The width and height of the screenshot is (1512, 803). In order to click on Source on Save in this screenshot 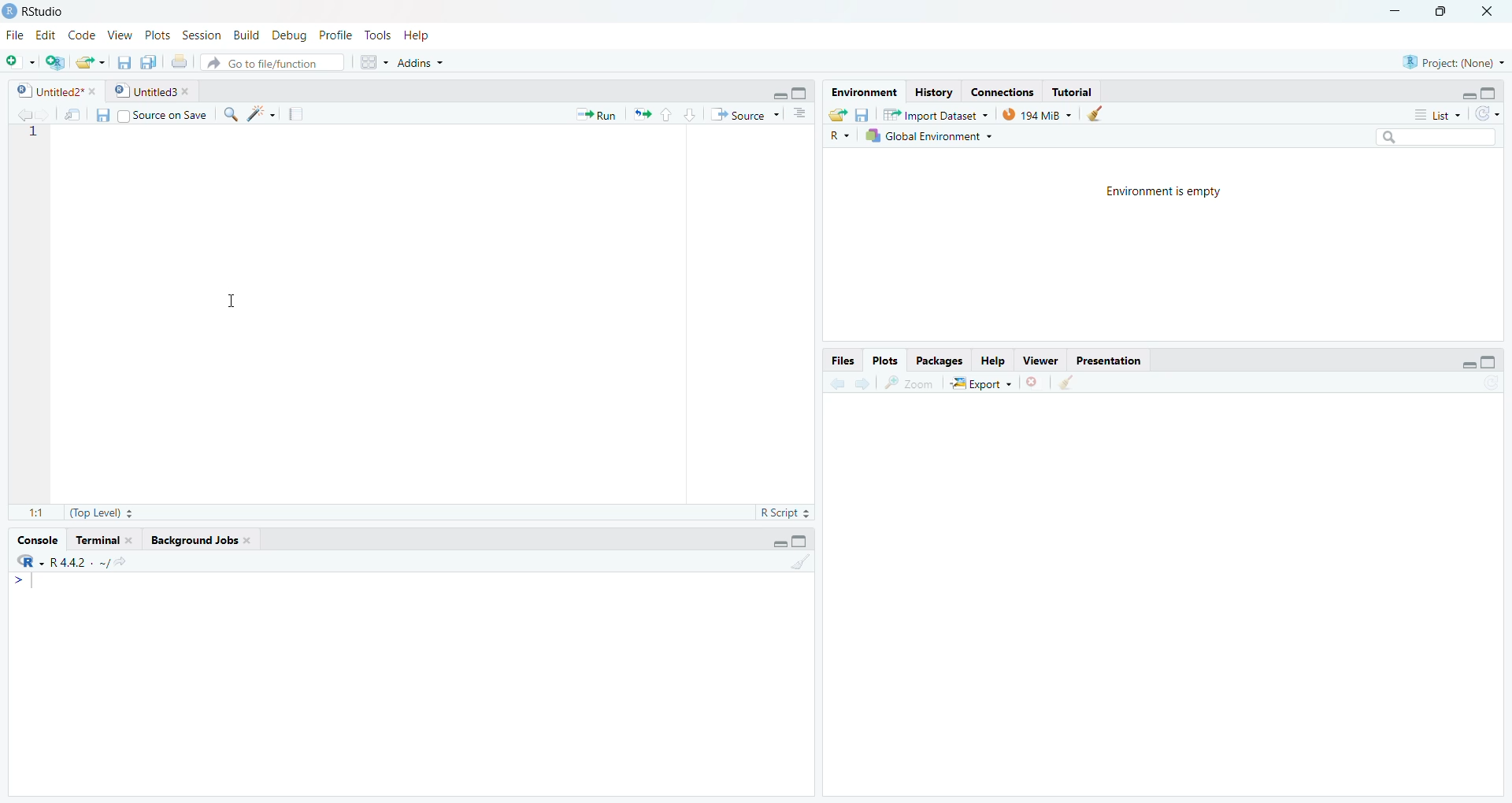, I will do `click(151, 115)`.